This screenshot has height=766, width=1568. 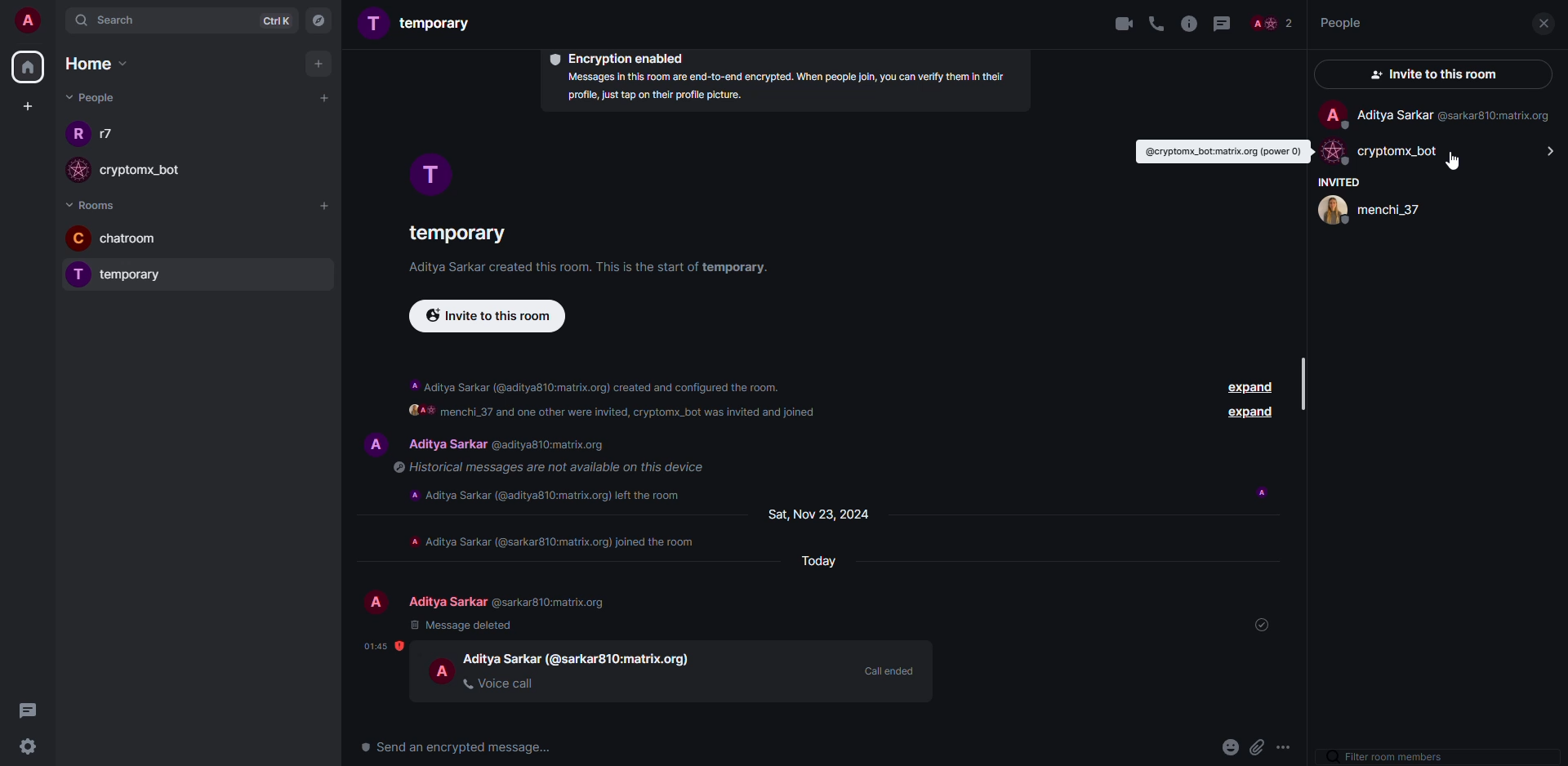 I want to click on home, so click(x=29, y=67).